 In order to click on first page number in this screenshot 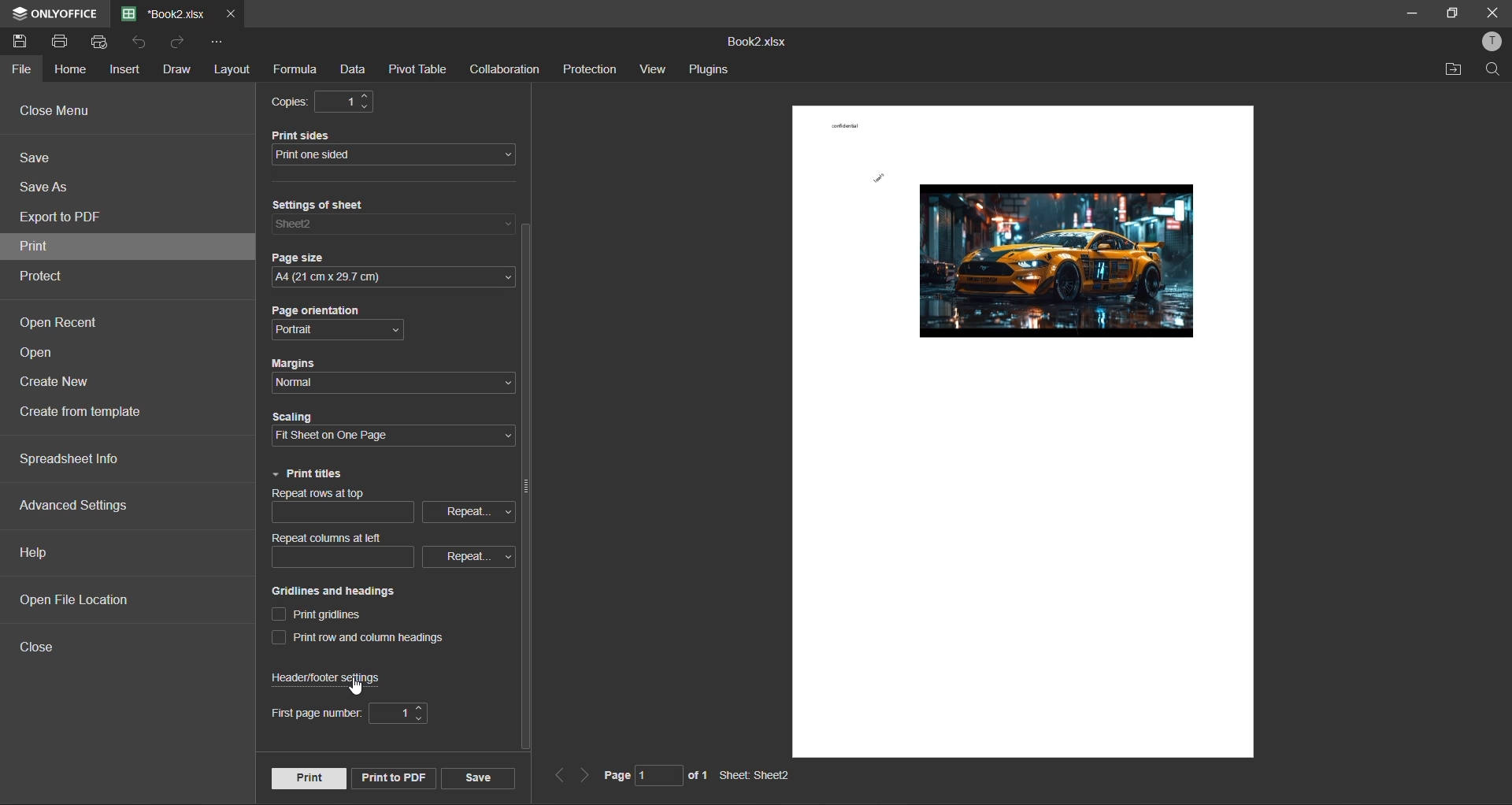, I will do `click(351, 711)`.